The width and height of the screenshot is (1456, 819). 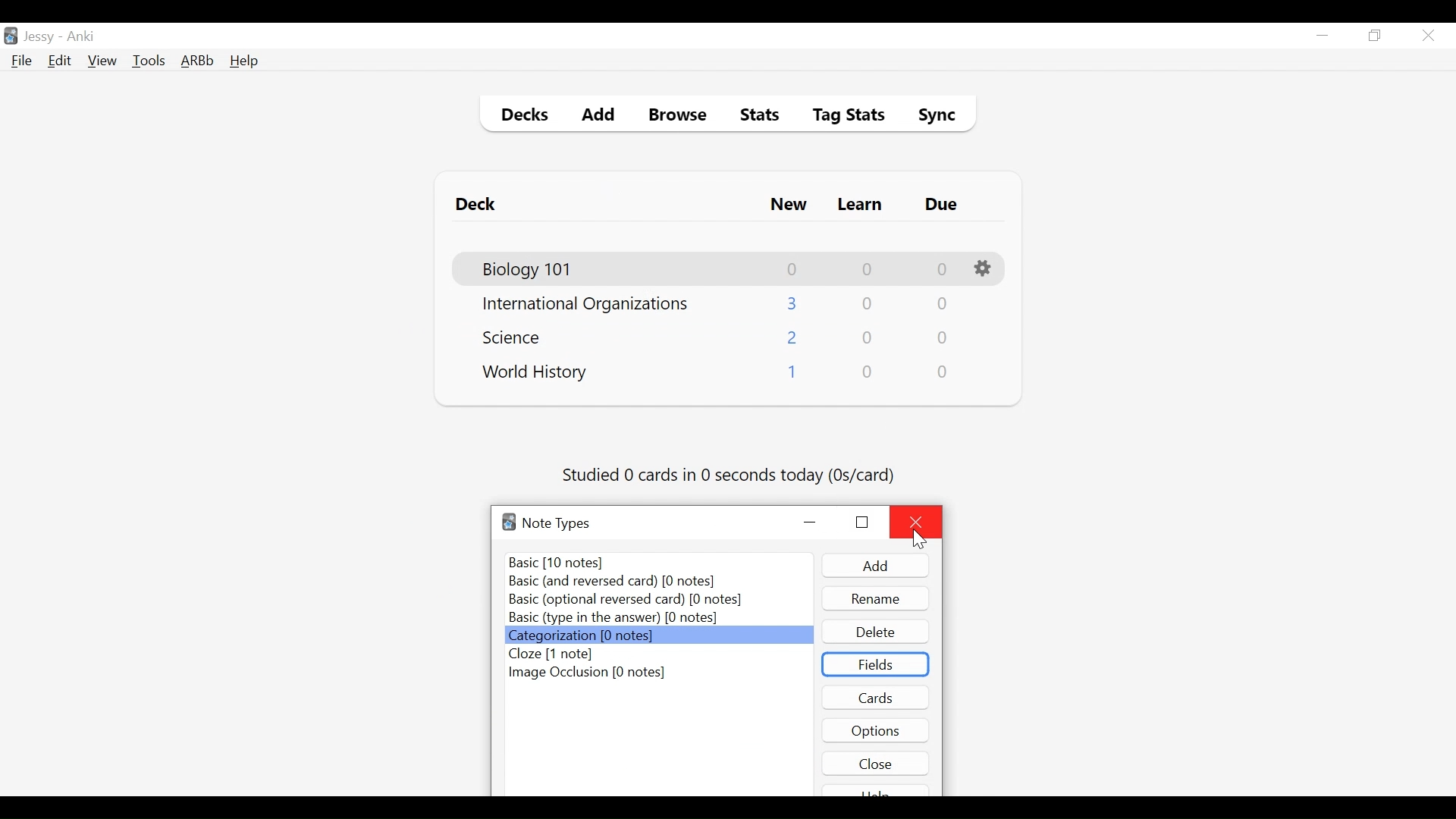 I want to click on Deck, so click(x=479, y=205).